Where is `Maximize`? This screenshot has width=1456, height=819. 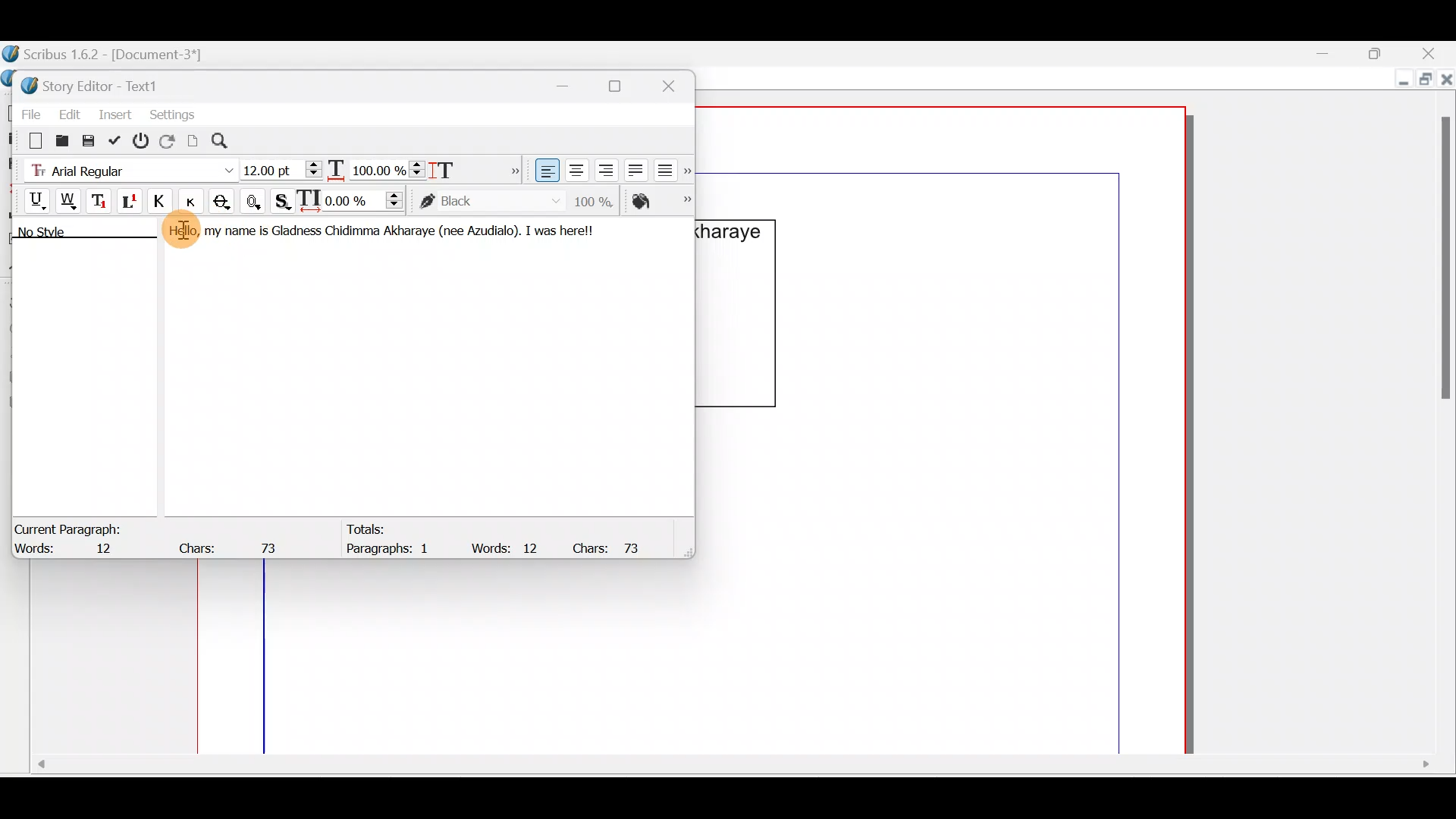
Maximize is located at coordinates (1423, 81).